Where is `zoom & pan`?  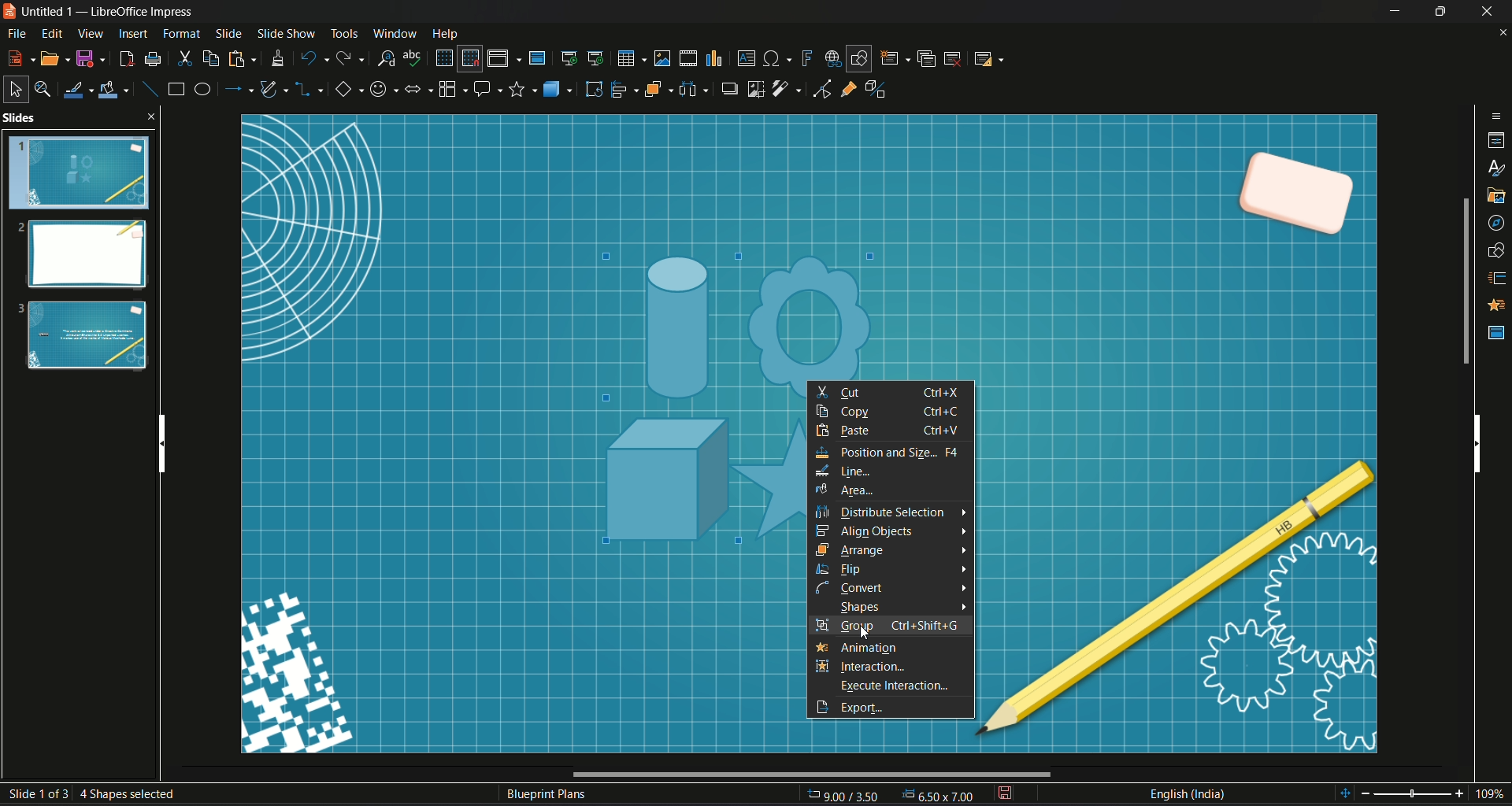 zoom & pan is located at coordinates (42, 87).